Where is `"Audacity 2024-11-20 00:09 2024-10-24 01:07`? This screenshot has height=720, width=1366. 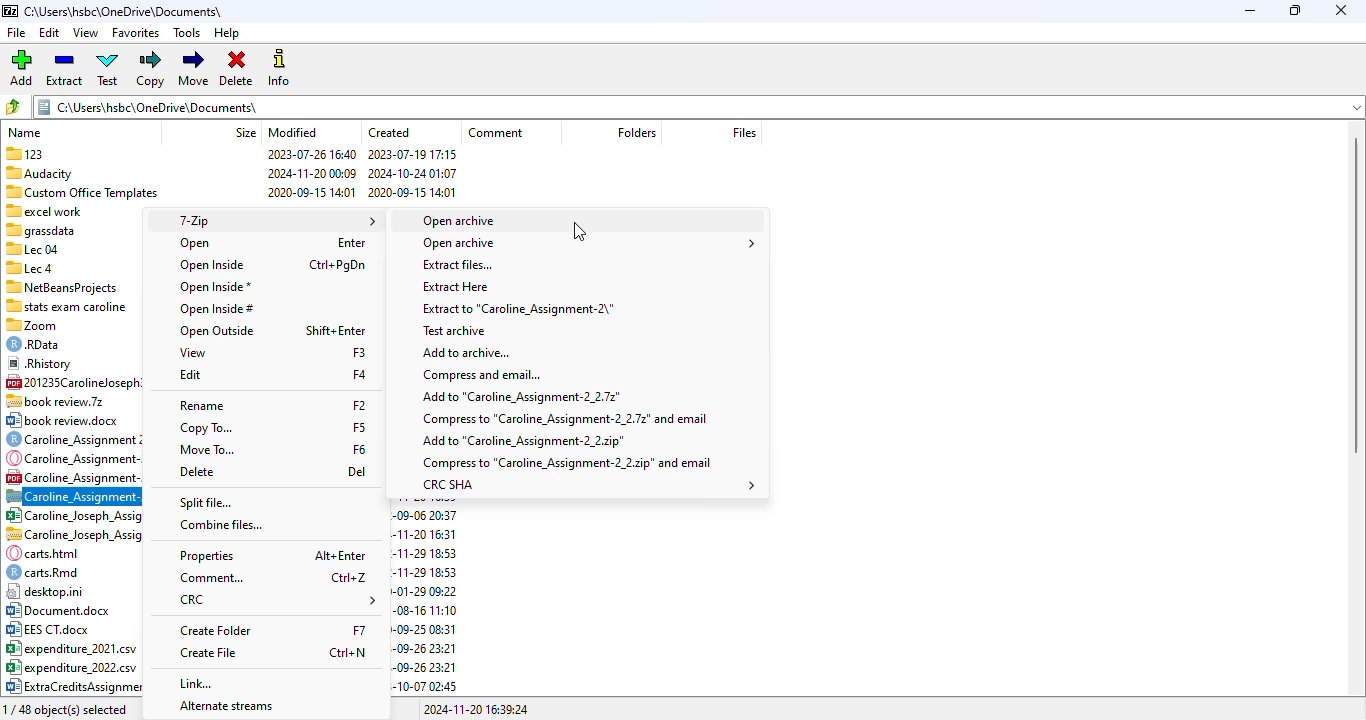
"Audacity 2024-11-20 00:09 2024-10-24 01:07 is located at coordinates (228, 172).